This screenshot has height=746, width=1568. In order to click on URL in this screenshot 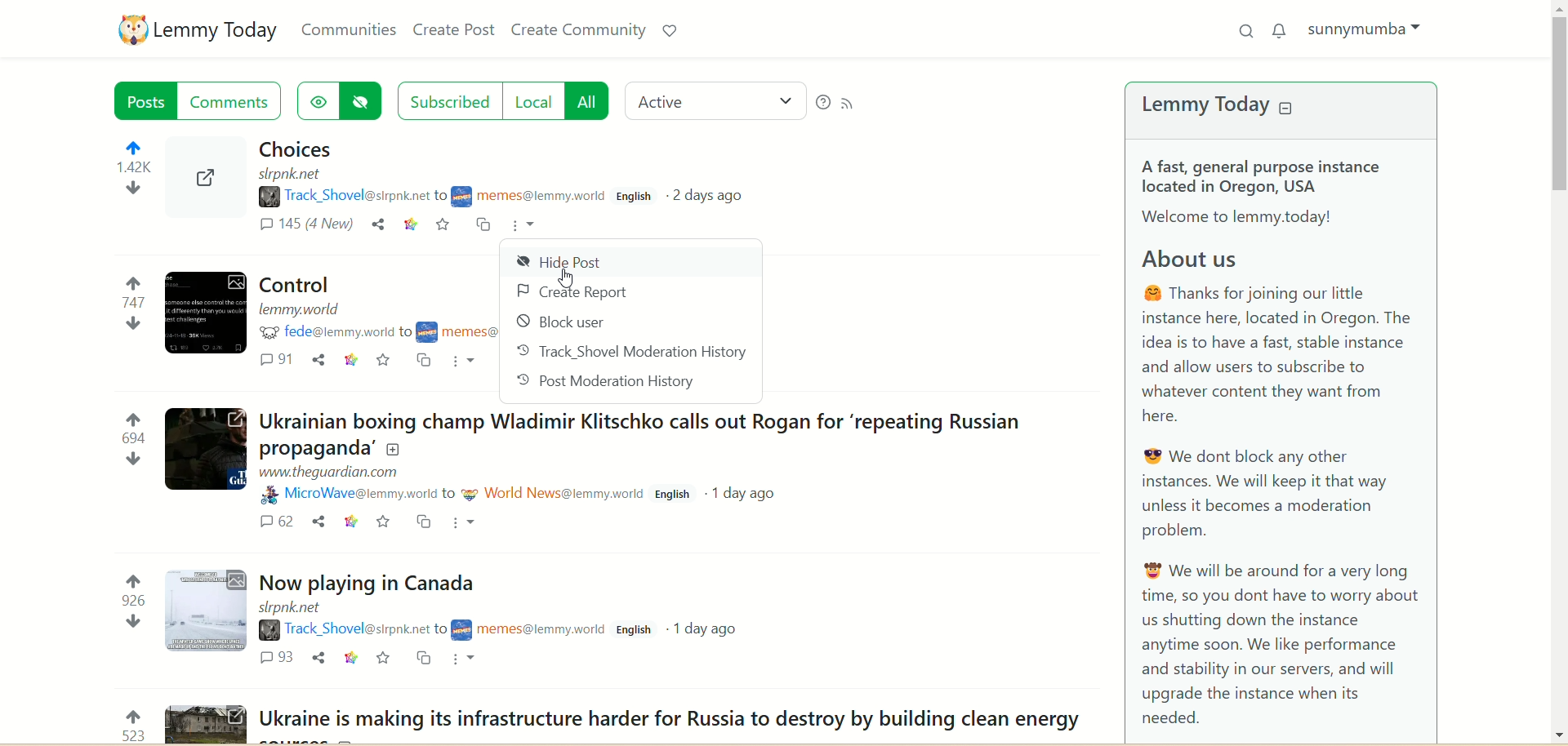, I will do `click(293, 607)`.